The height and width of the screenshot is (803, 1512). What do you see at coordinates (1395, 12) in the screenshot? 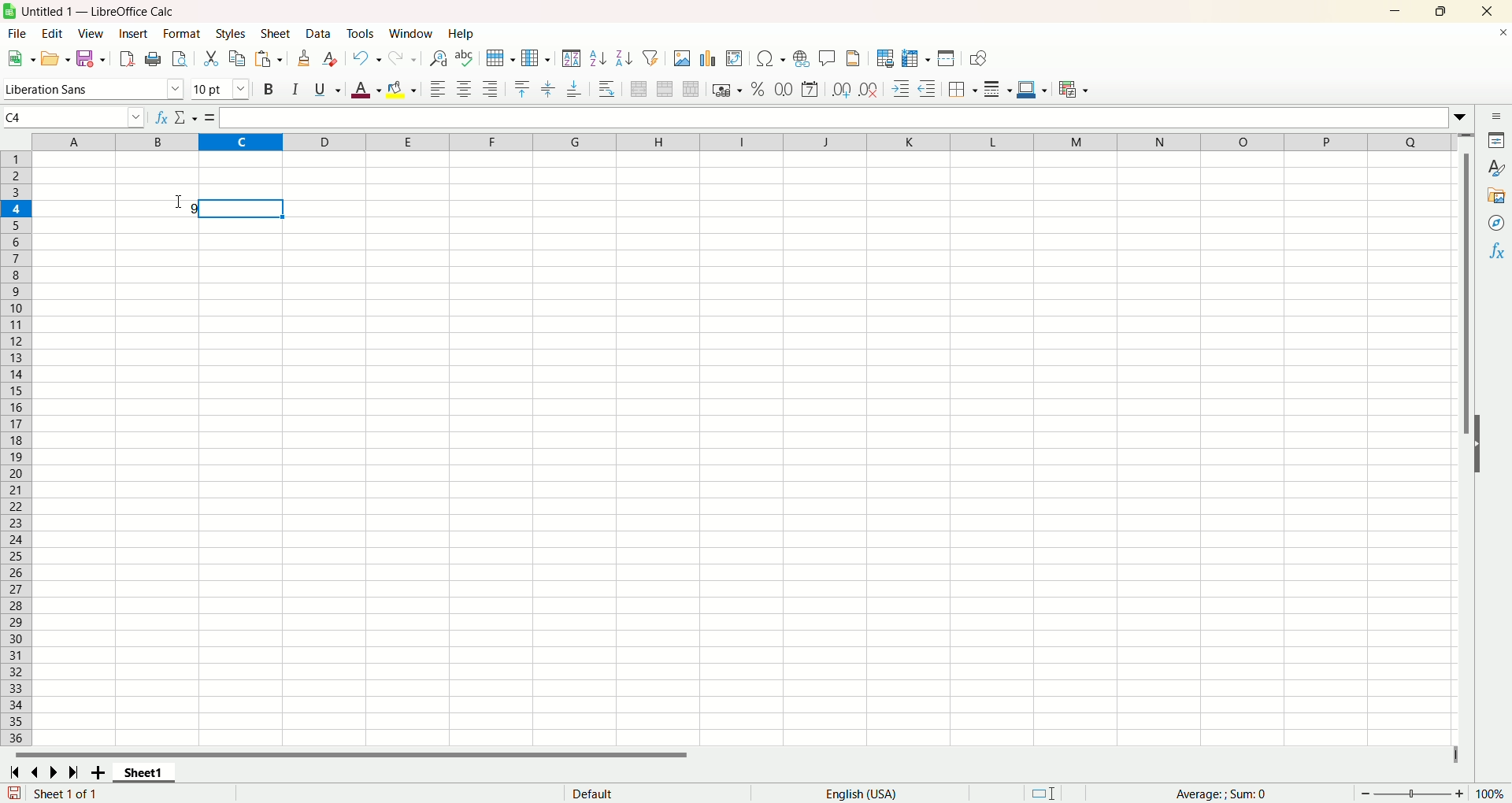
I see `Minimize` at bounding box center [1395, 12].